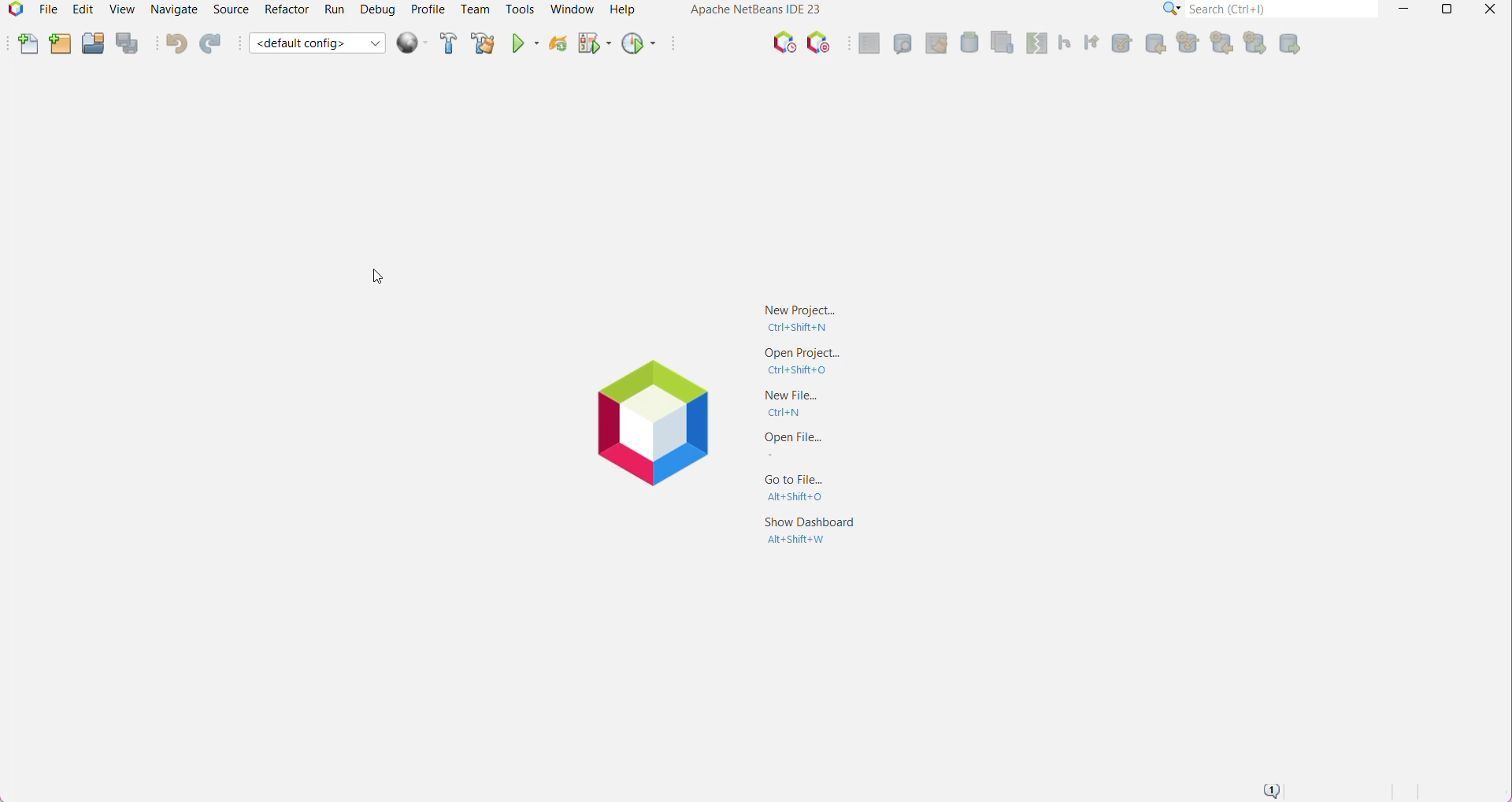  Describe the element at coordinates (647, 421) in the screenshot. I see `Application Logo` at that location.